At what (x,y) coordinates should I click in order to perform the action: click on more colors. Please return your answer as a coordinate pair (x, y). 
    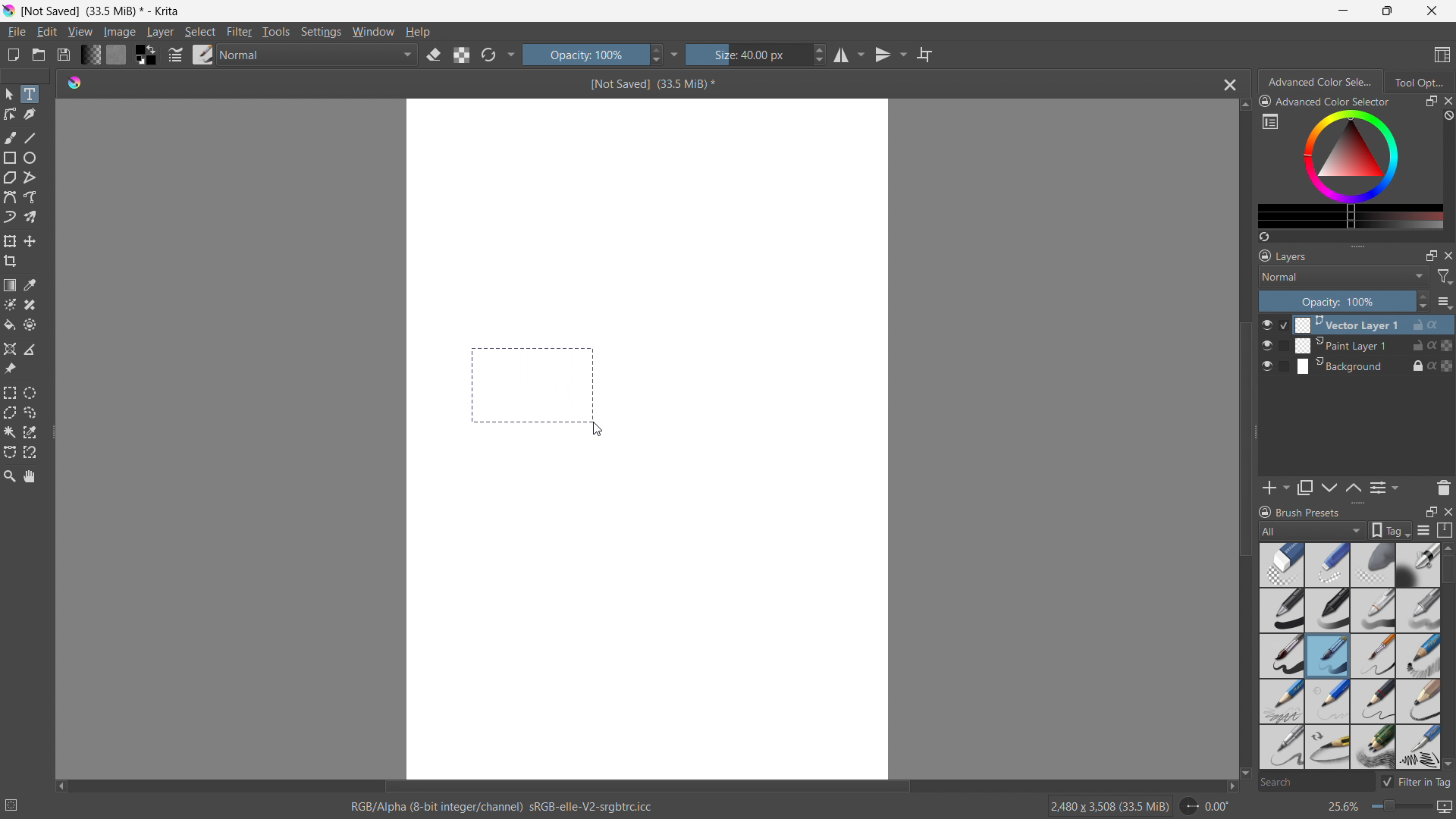
    Looking at the image, I should click on (1351, 217).